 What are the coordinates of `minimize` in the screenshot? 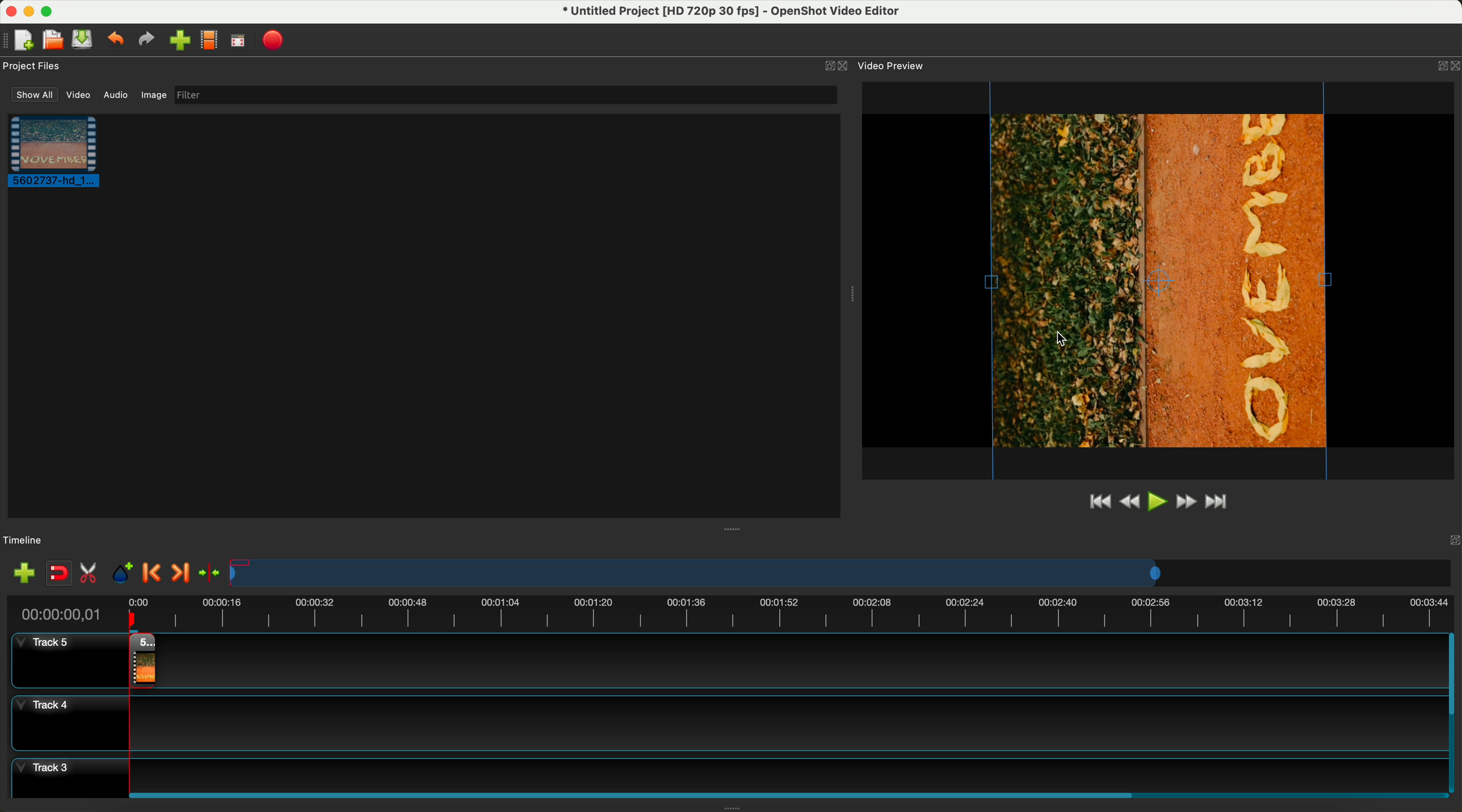 It's located at (823, 67).